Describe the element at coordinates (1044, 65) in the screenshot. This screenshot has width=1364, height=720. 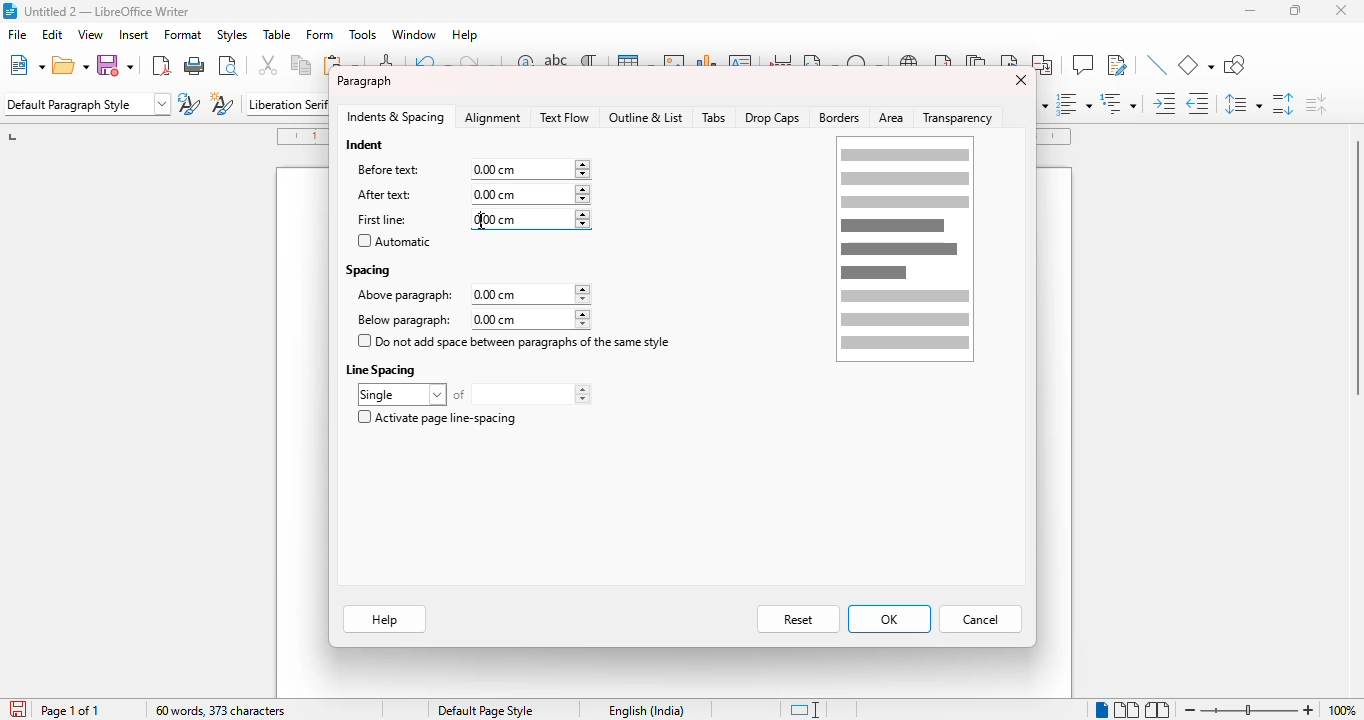
I see `insert cross-reference` at that location.